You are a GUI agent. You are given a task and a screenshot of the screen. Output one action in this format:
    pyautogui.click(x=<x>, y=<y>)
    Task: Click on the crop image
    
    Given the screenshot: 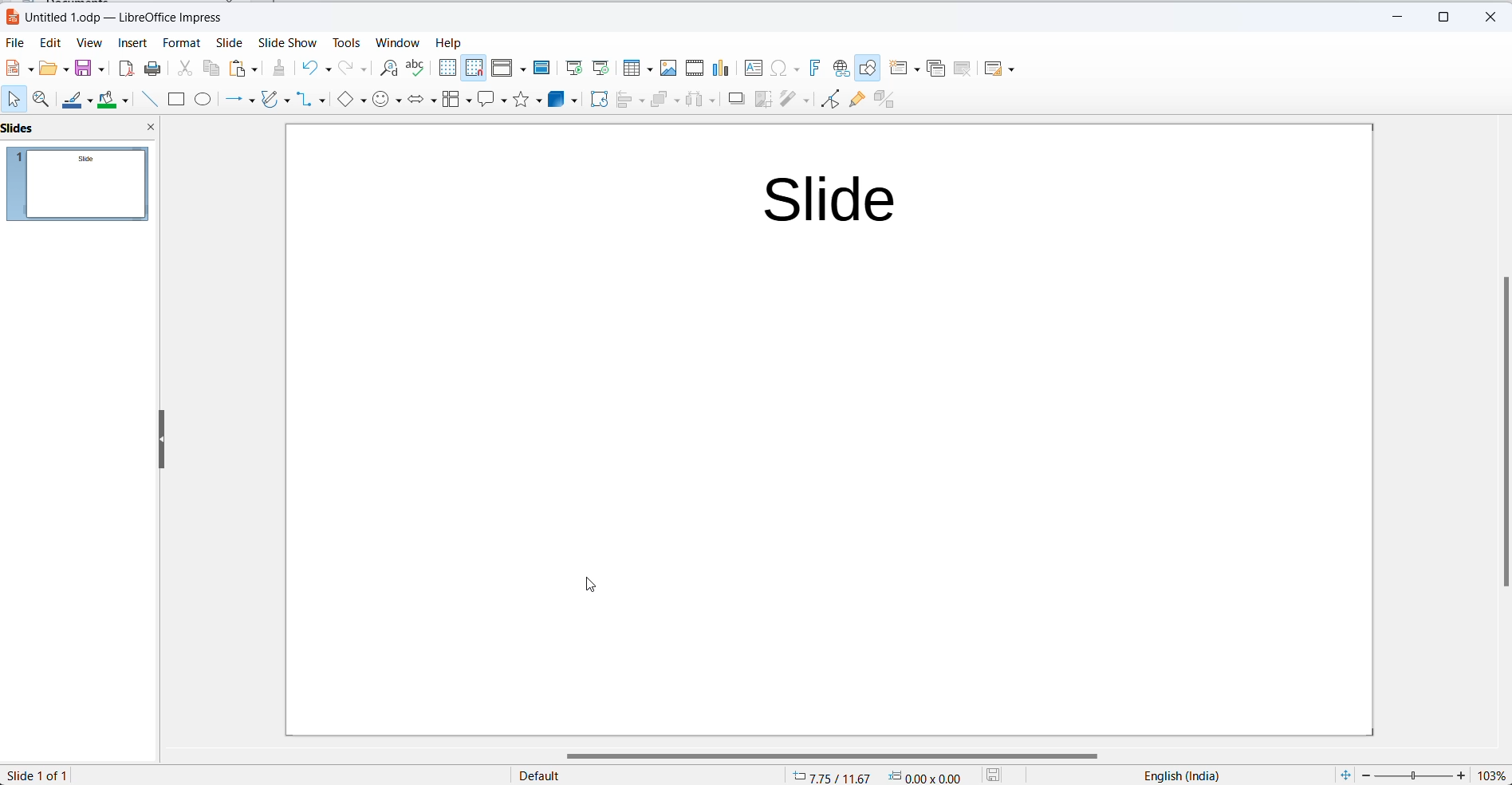 What is the action you would take?
    pyautogui.click(x=762, y=100)
    